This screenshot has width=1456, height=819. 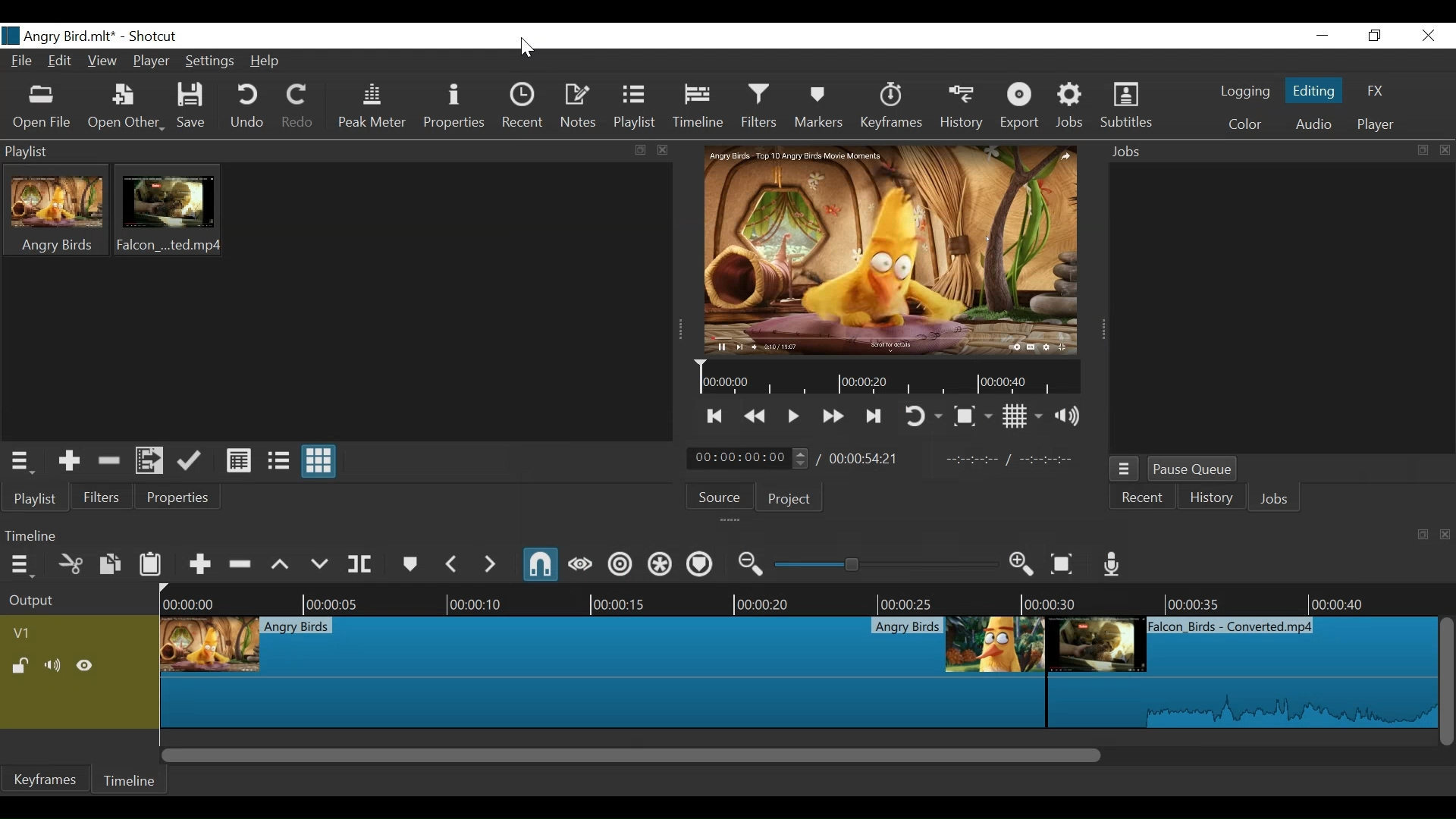 I want to click on History, so click(x=1207, y=497).